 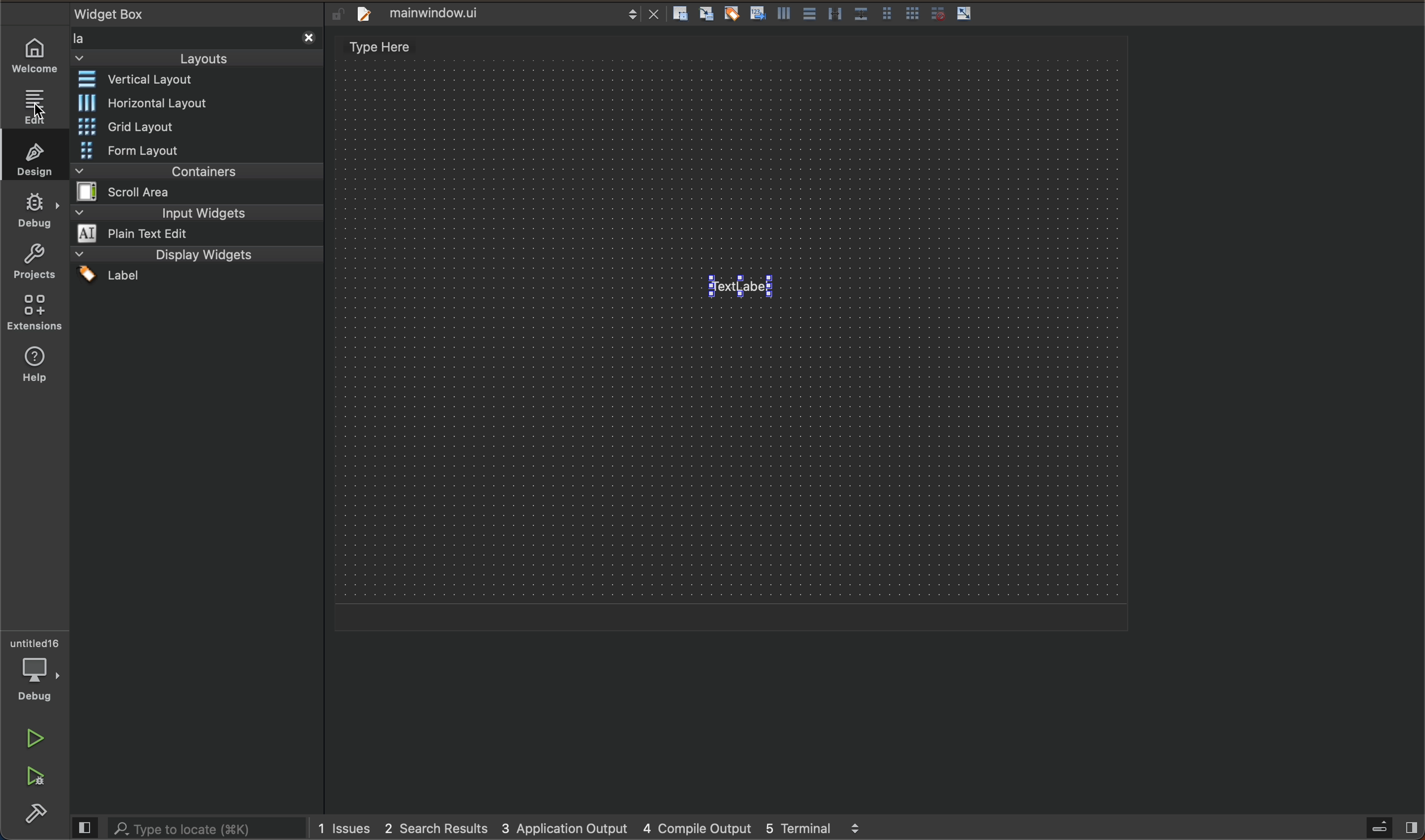 What do you see at coordinates (129, 276) in the screenshot?
I see `Label` at bounding box center [129, 276].